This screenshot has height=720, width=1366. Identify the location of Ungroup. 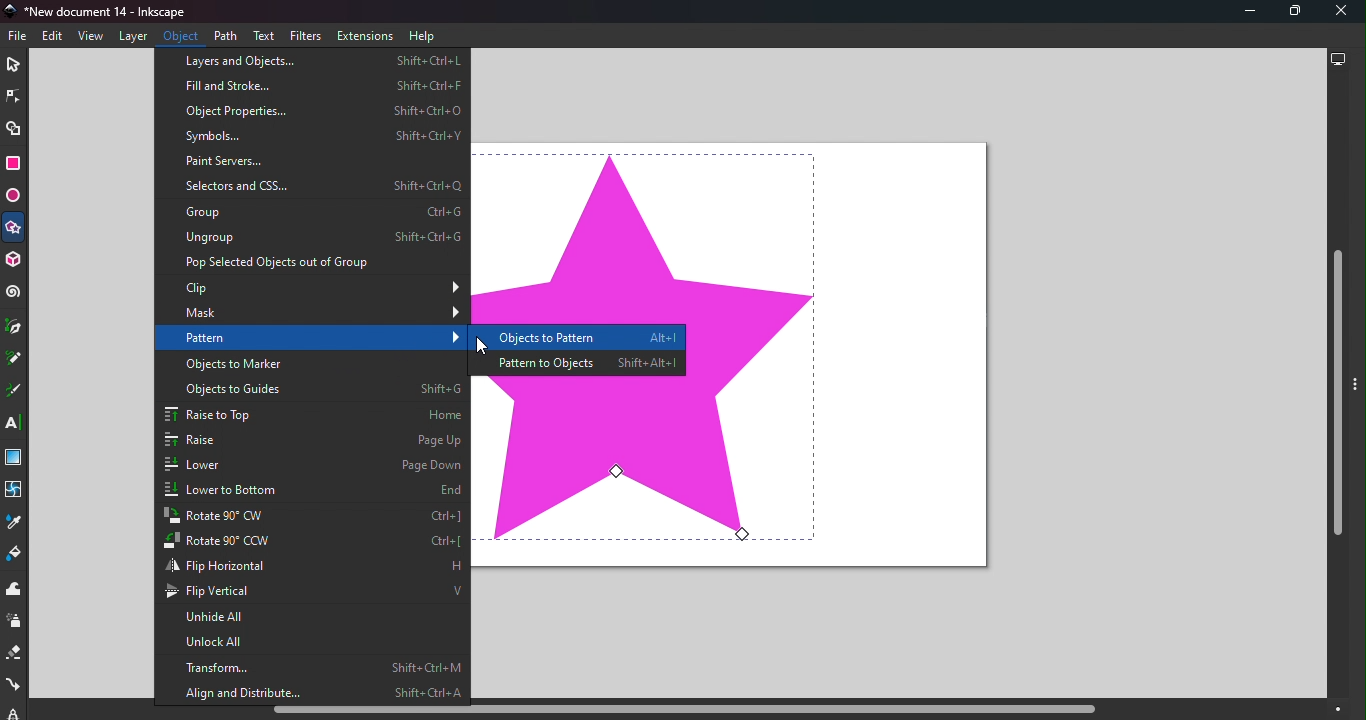
(322, 235).